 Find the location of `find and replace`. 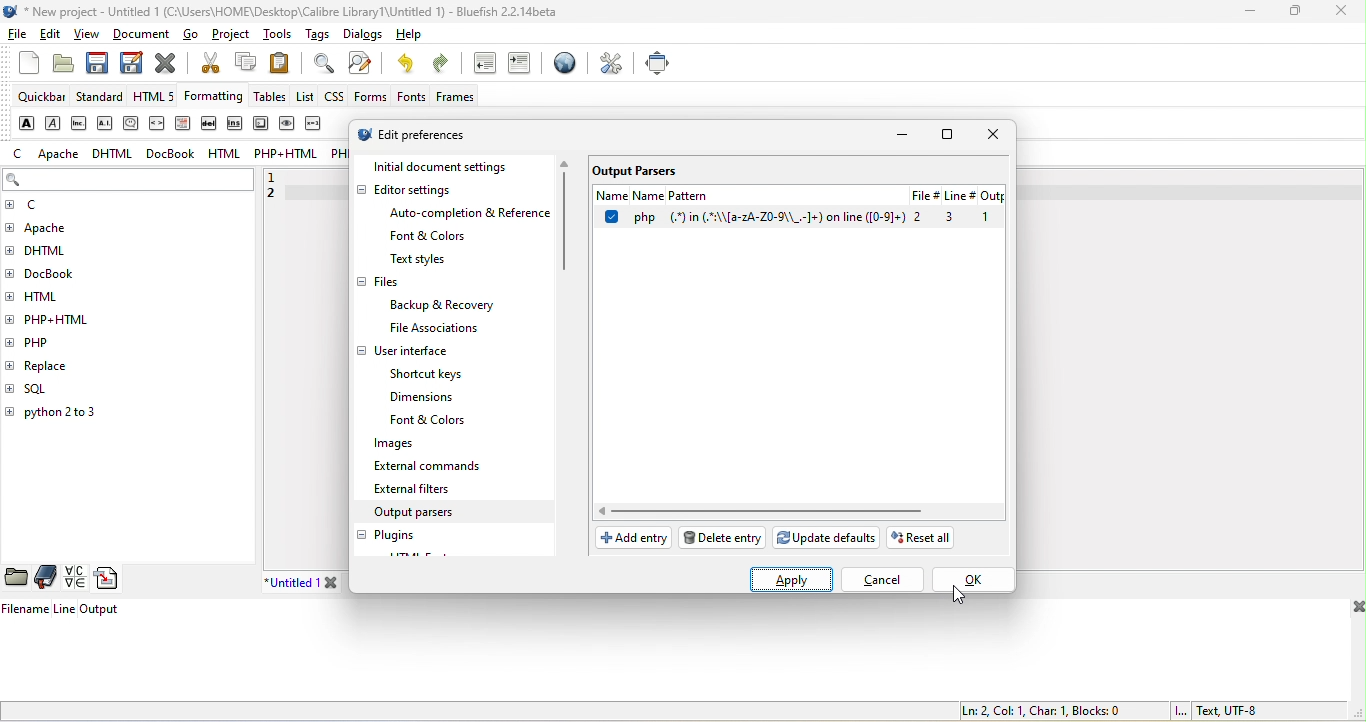

find and replace is located at coordinates (365, 64).